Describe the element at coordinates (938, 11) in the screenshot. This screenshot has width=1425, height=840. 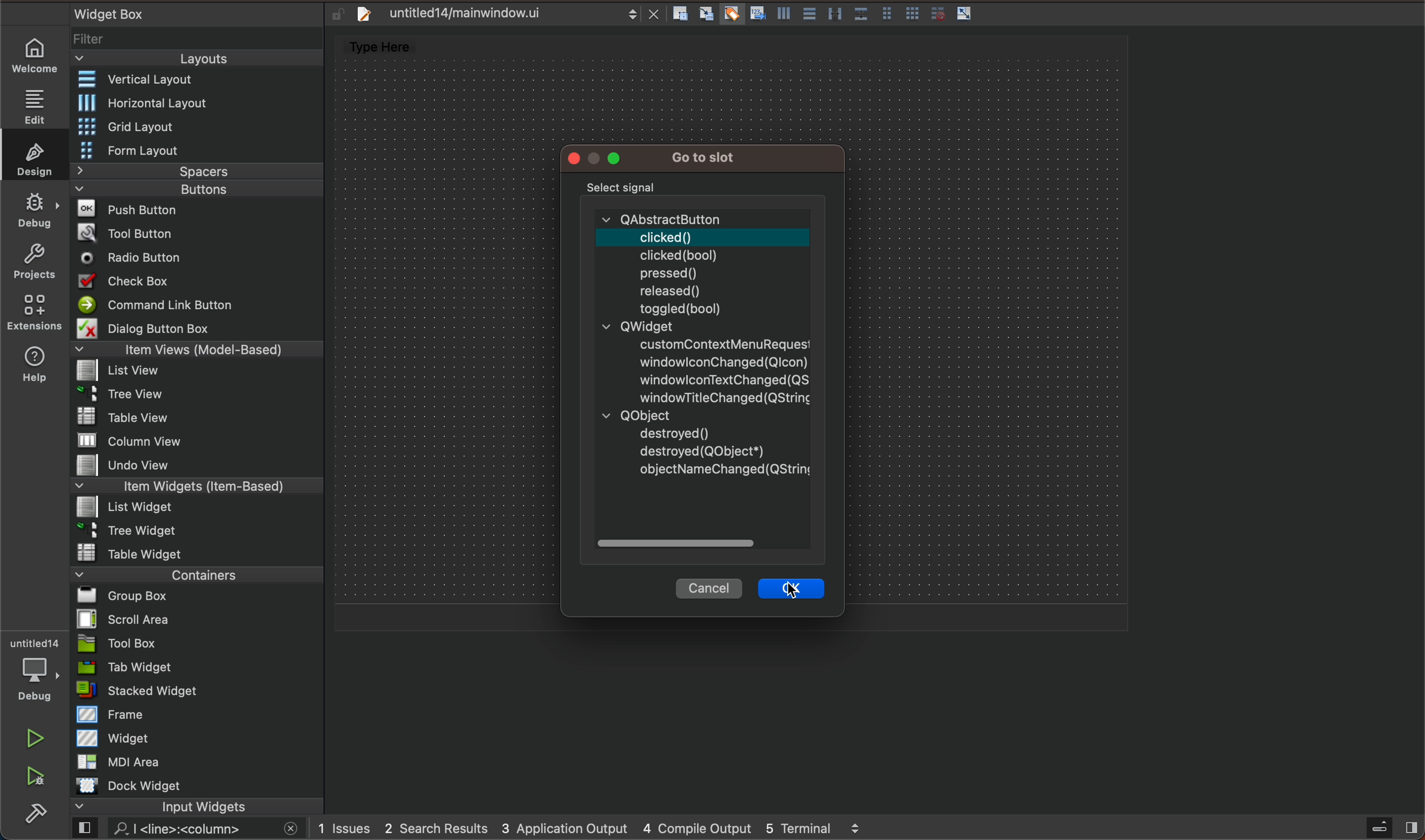
I see `` at that location.